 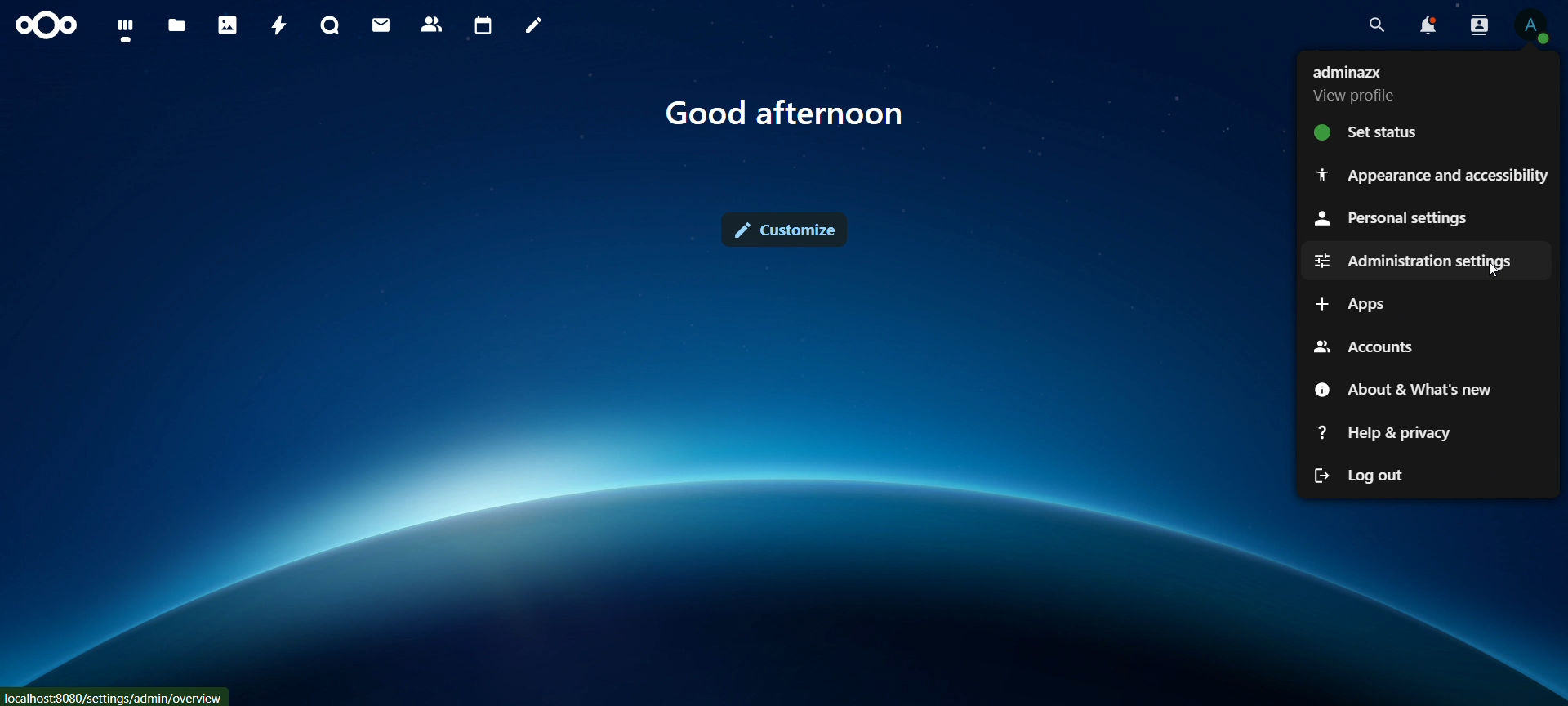 I want to click on photos, so click(x=227, y=25).